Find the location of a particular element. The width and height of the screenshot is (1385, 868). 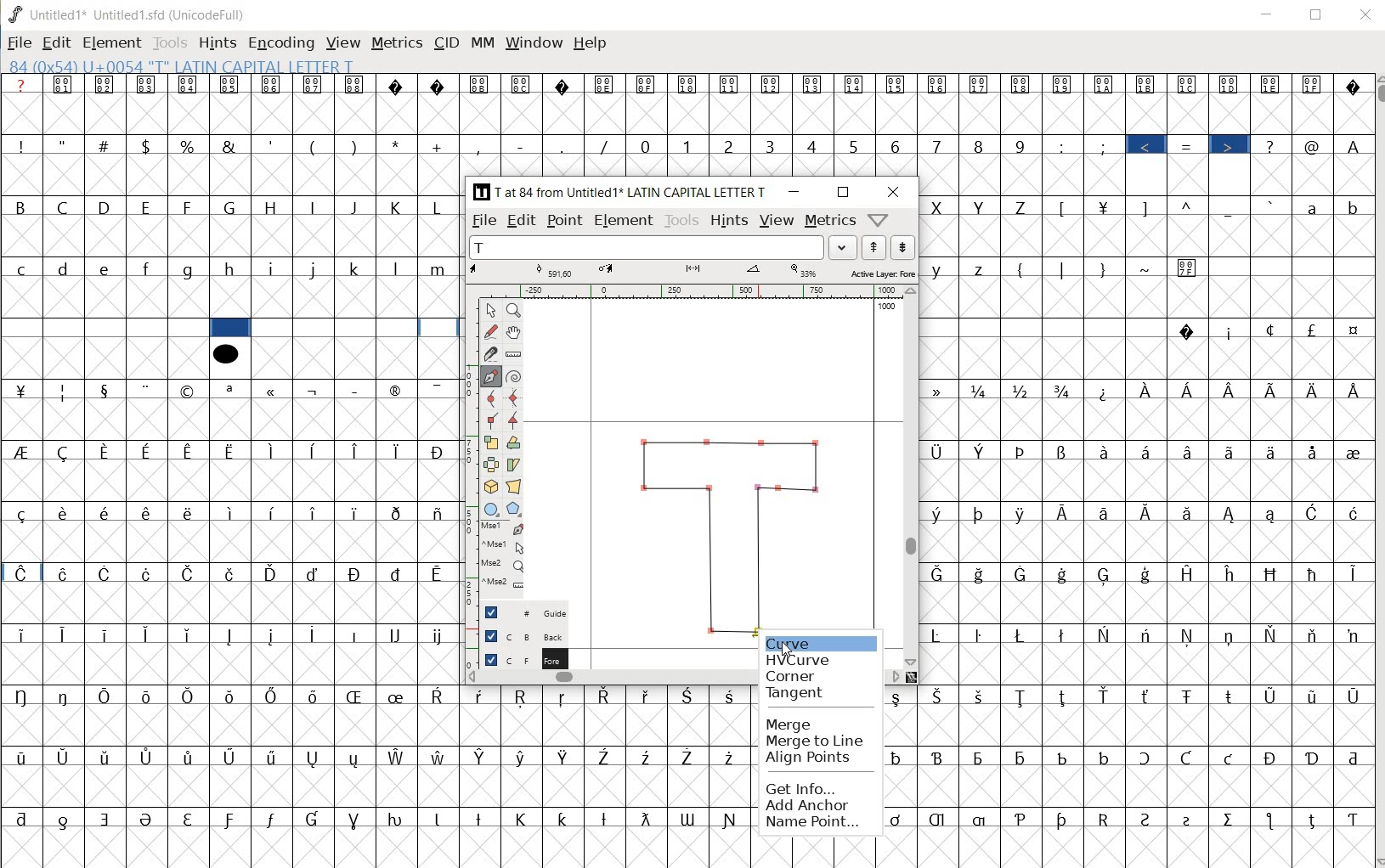

Symbol is located at coordinates (1314, 819).